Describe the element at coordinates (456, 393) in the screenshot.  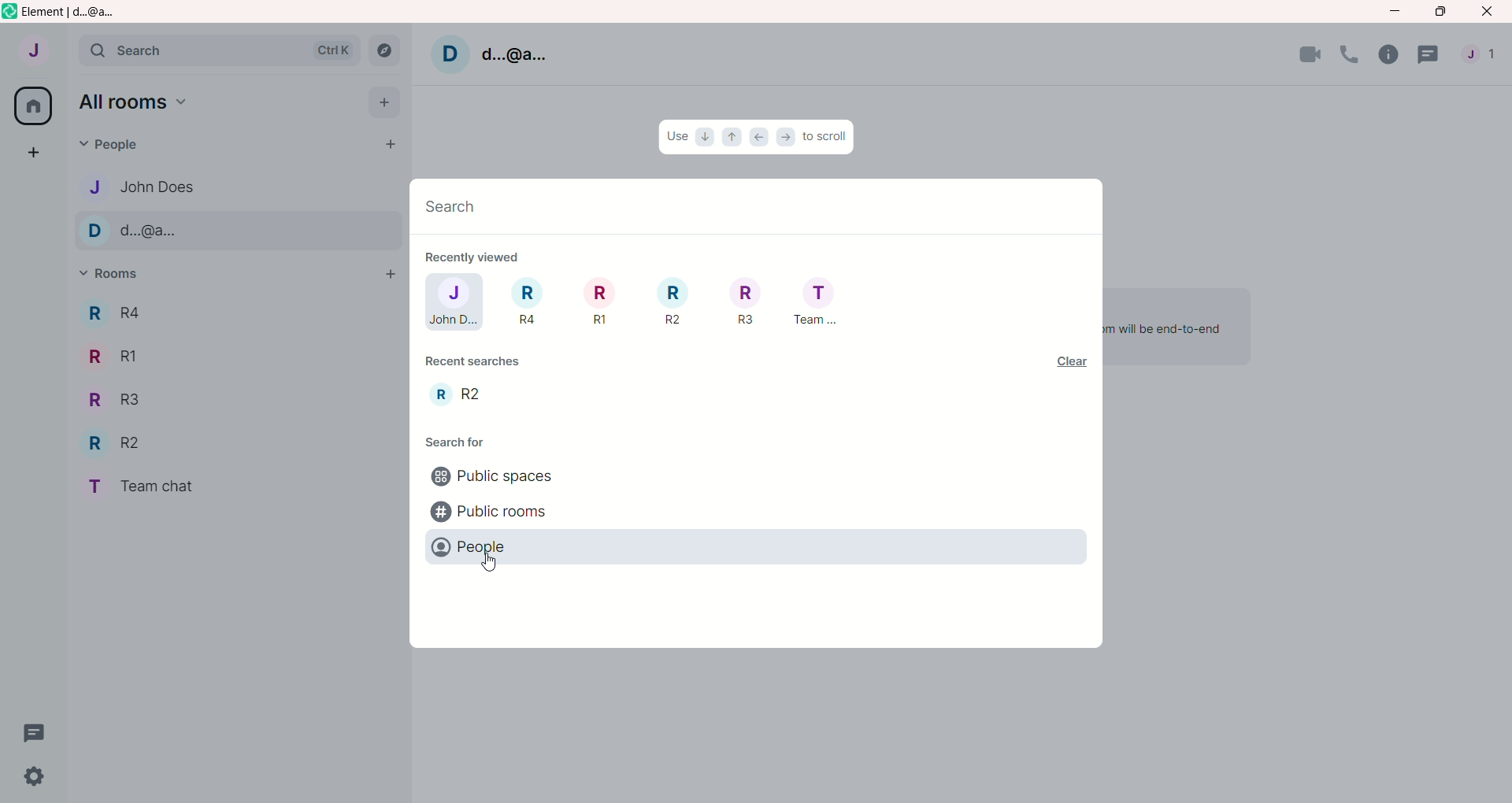
I see `room` at that location.